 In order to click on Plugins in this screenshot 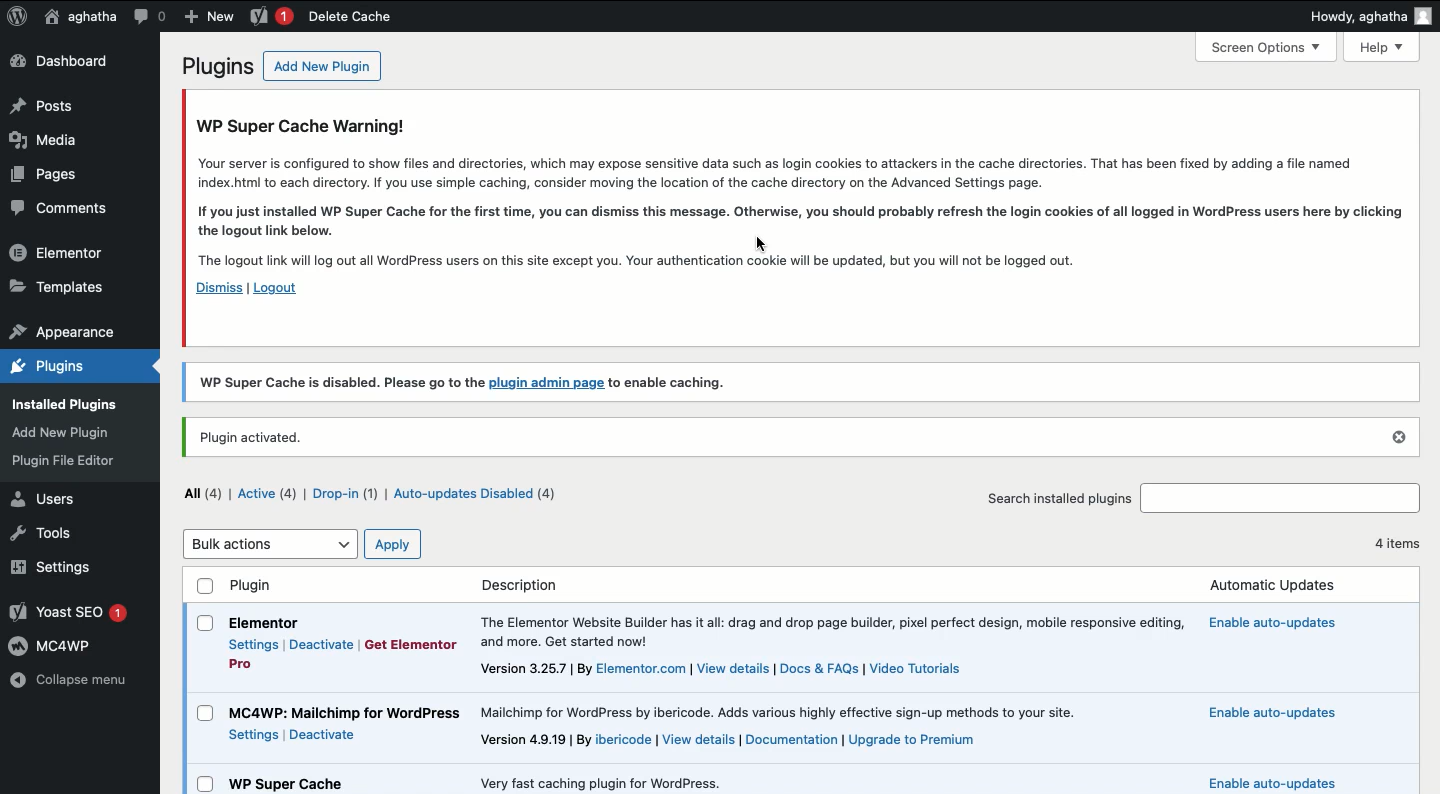, I will do `click(59, 463)`.